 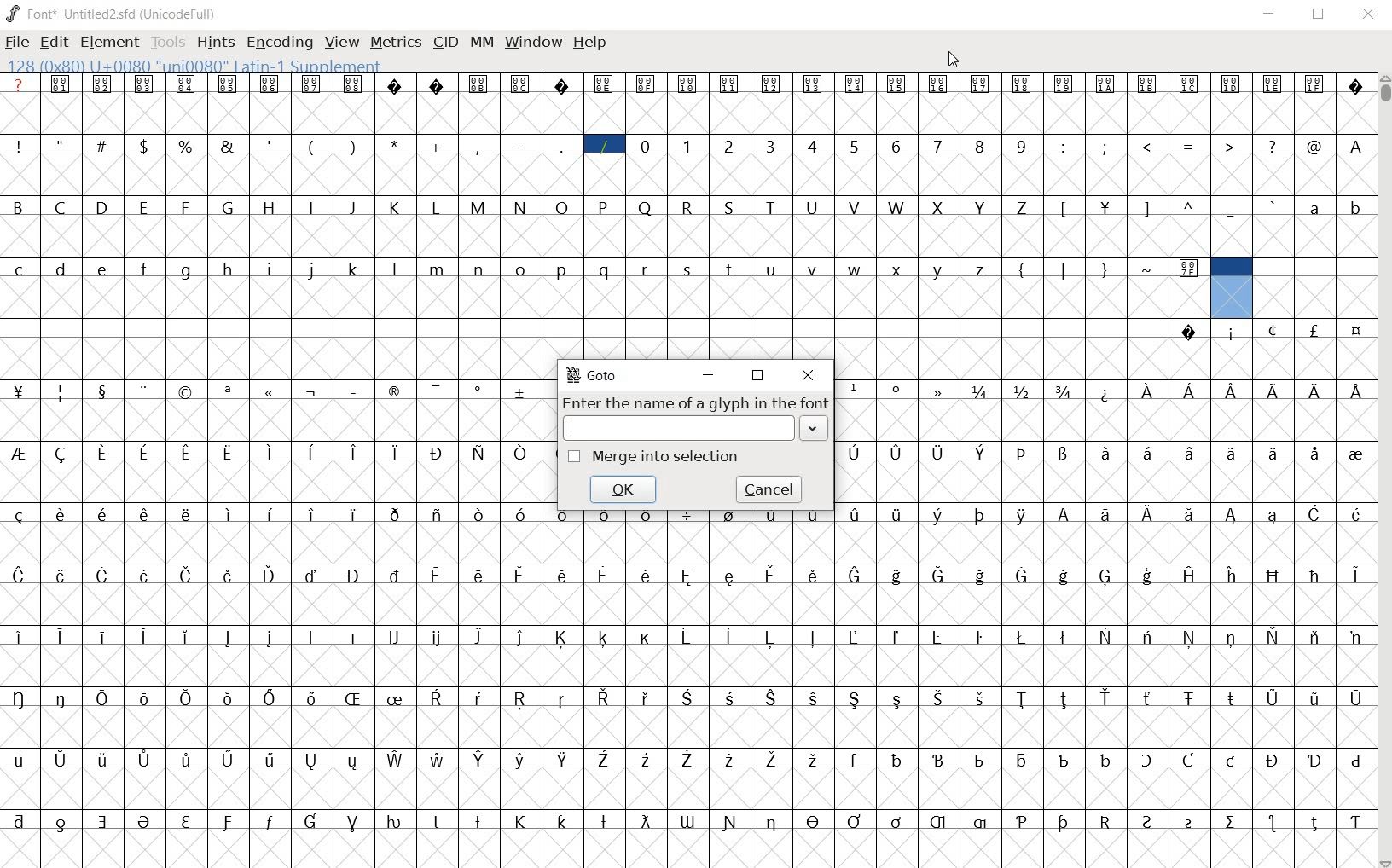 I want to click on Symbol, so click(x=1315, y=696).